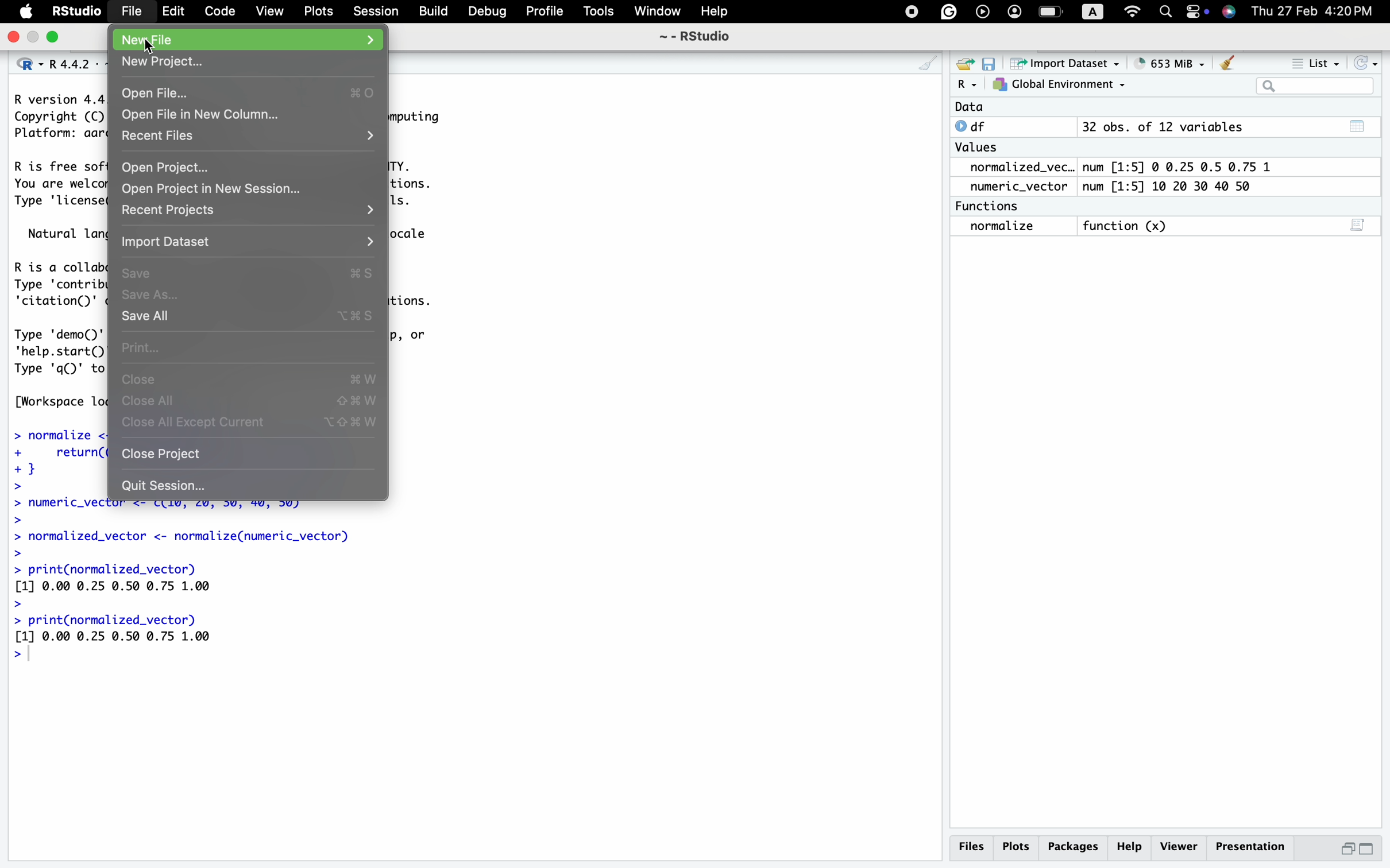  Describe the element at coordinates (1172, 187) in the screenshot. I see `num [1:5] 10 20 30 40 50 ` at that location.